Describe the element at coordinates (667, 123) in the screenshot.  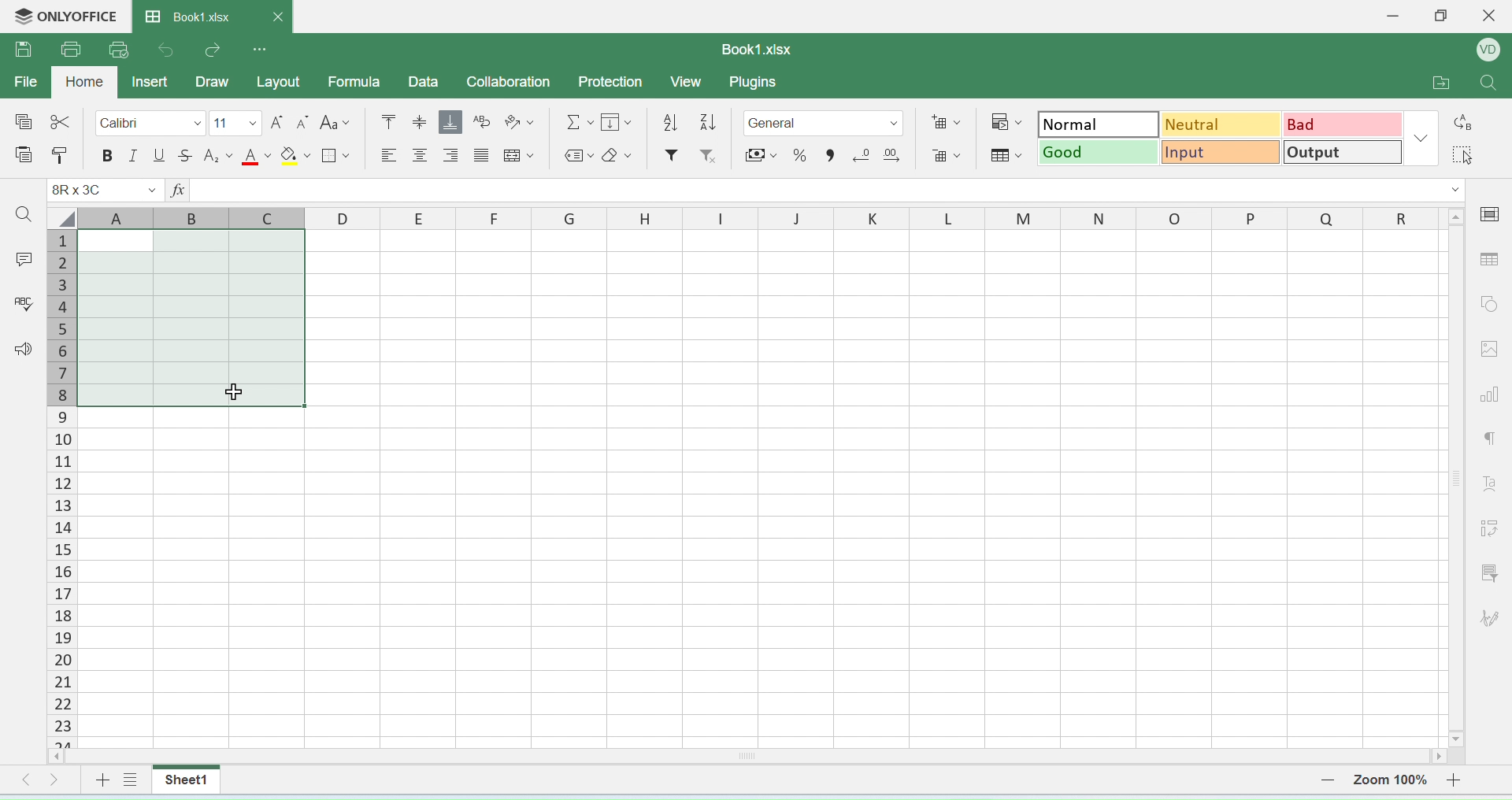
I see `descending order` at that location.